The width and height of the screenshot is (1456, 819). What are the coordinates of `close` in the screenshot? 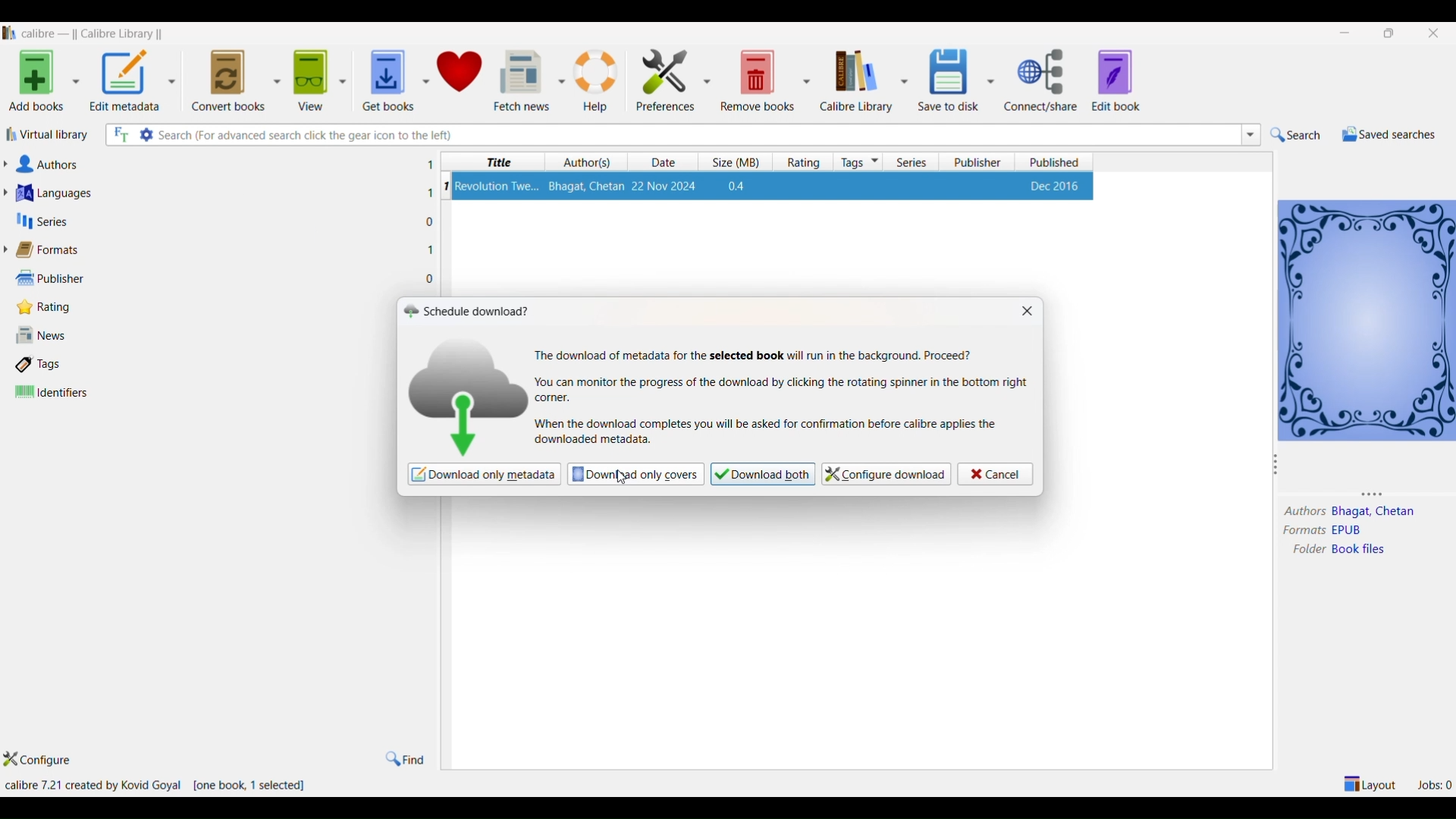 It's located at (1025, 312).